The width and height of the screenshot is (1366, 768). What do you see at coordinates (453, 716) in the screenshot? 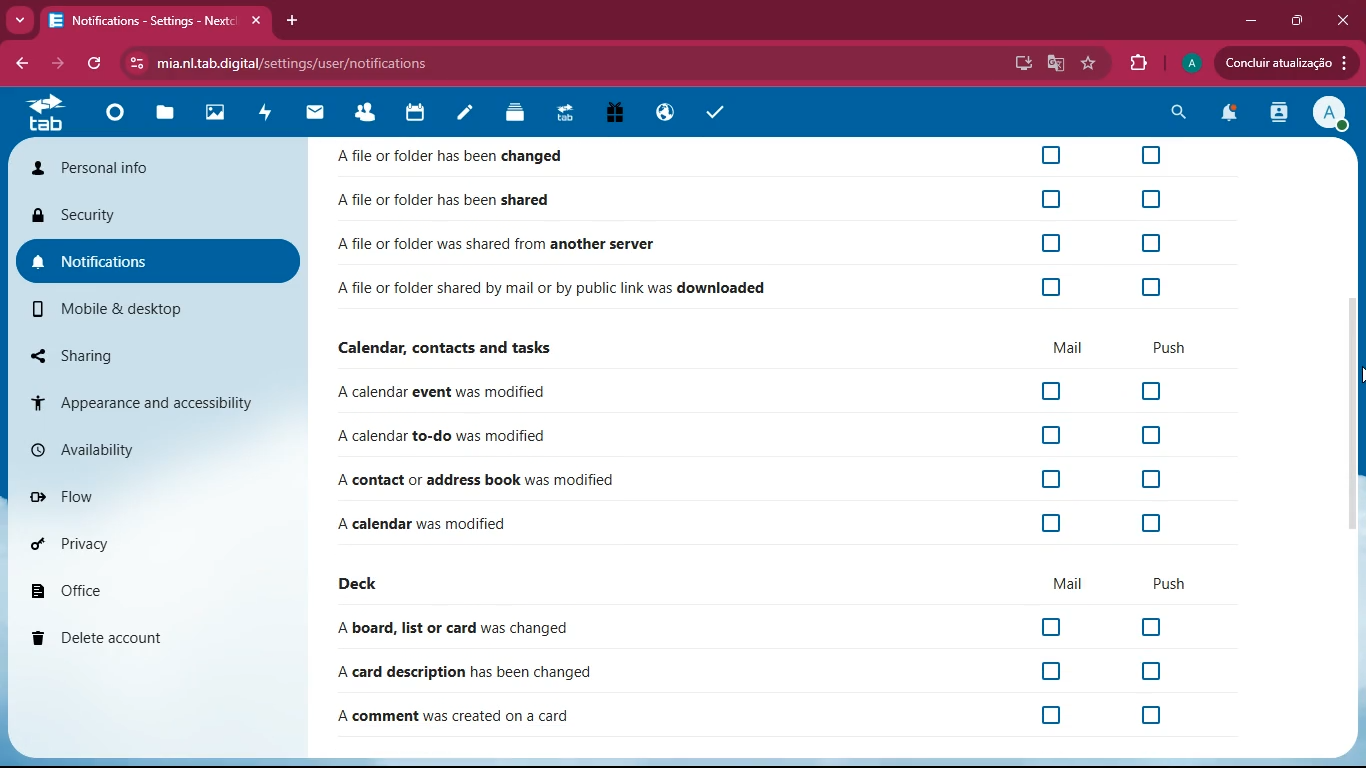
I see `A comment was created on a card` at bounding box center [453, 716].